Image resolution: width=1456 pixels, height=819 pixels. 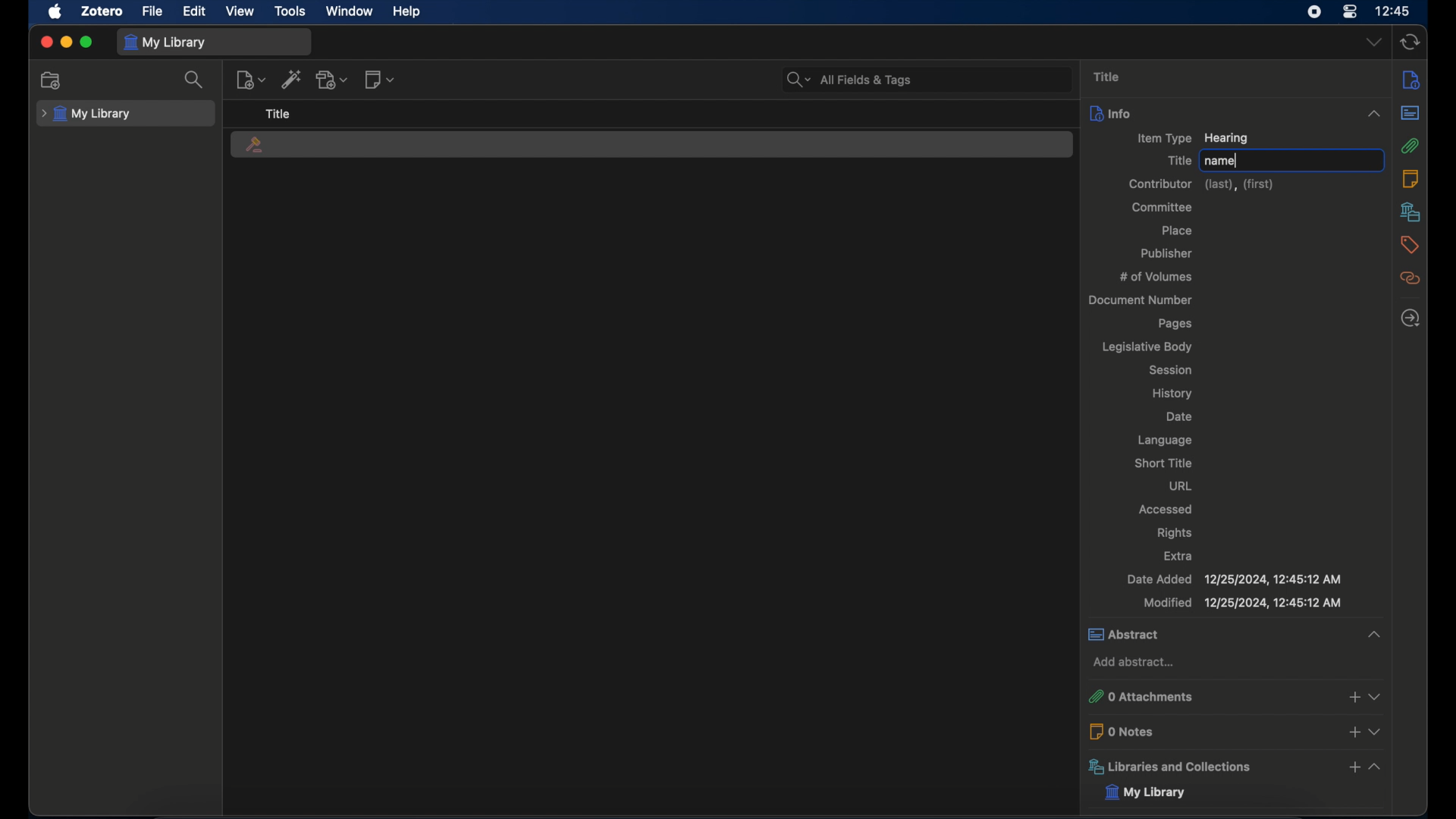 What do you see at coordinates (1410, 245) in the screenshot?
I see `tags` at bounding box center [1410, 245].